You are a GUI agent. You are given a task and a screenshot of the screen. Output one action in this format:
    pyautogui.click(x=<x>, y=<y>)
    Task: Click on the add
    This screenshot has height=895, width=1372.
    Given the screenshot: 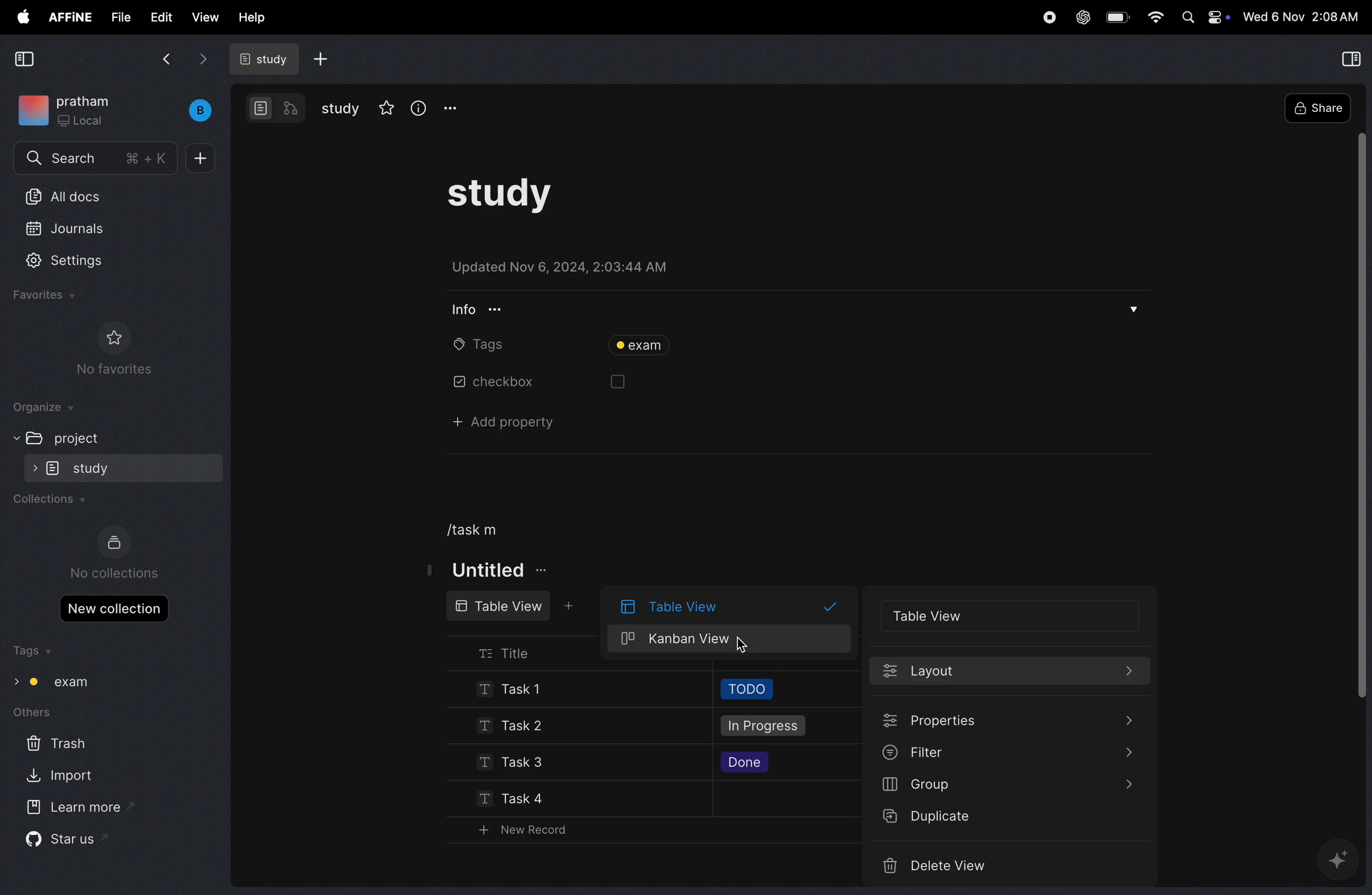 What is the action you would take?
    pyautogui.click(x=200, y=157)
    